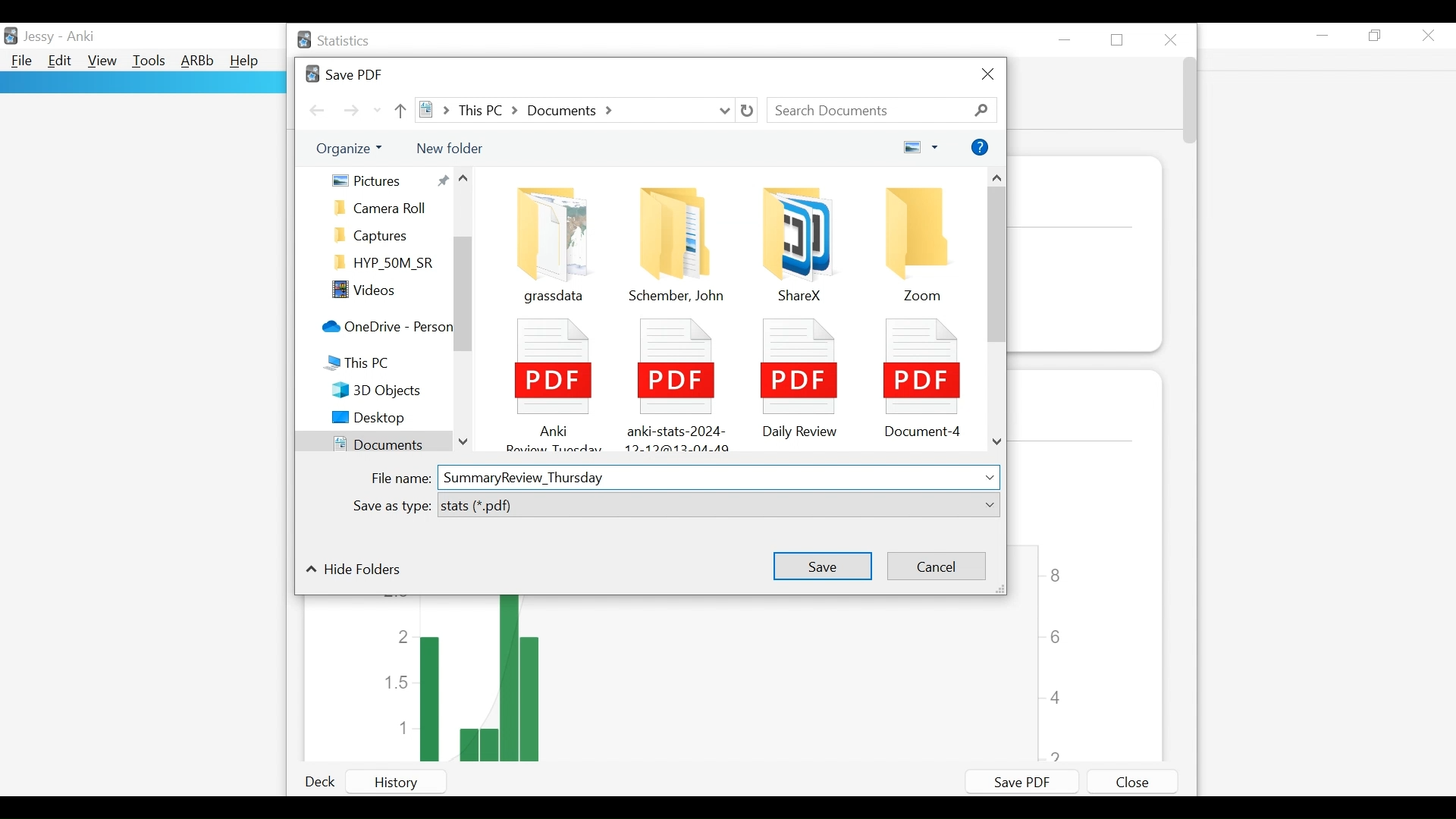 This screenshot has height=819, width=1456. What do you see at coordinates (149, 62) in the screenshot?
I see `Tools` at bounding box center [149, 62].